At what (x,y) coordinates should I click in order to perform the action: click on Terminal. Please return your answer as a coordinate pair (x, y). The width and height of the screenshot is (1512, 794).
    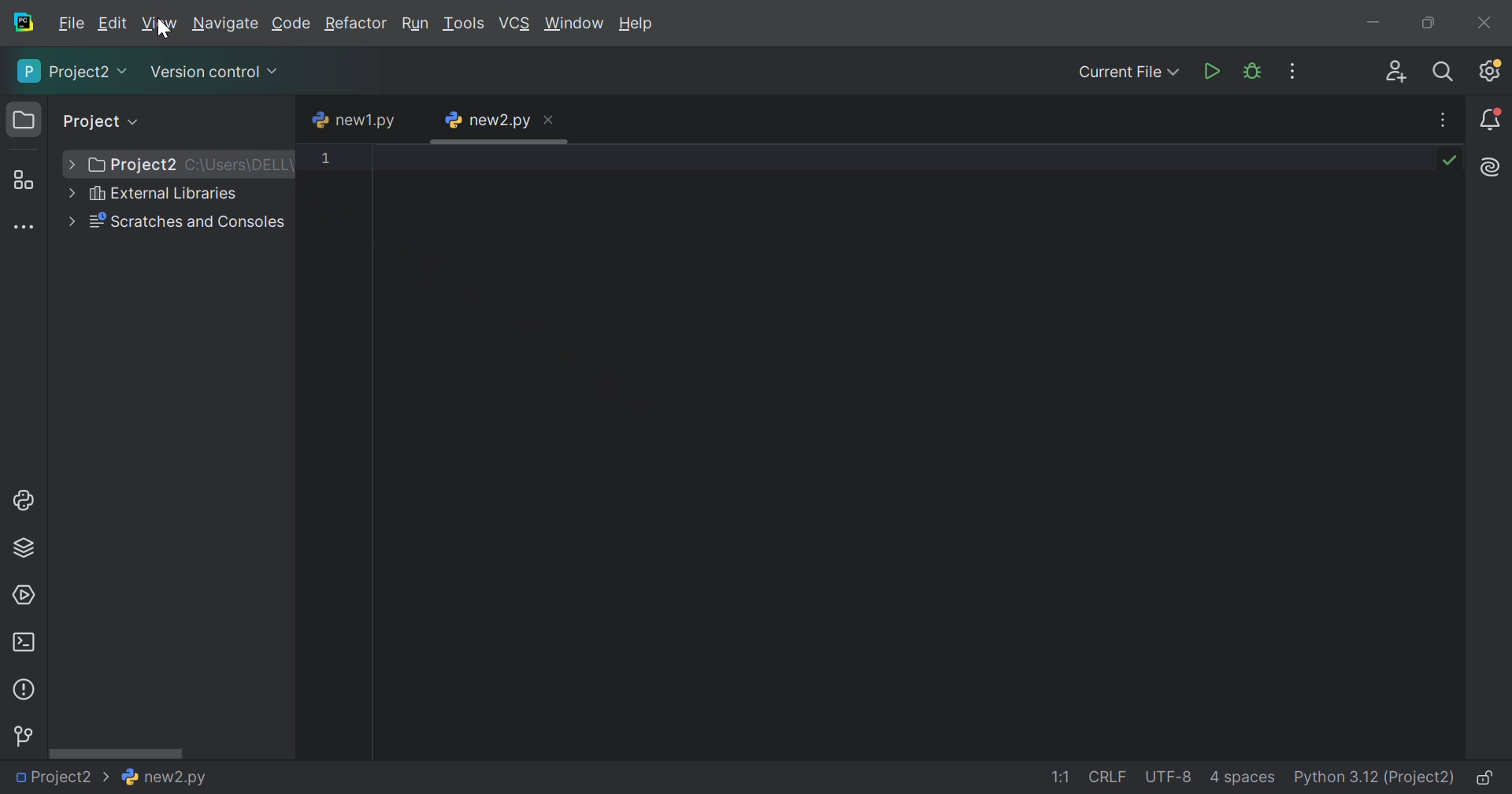
    Looking at the image, I should click on (24, 642).